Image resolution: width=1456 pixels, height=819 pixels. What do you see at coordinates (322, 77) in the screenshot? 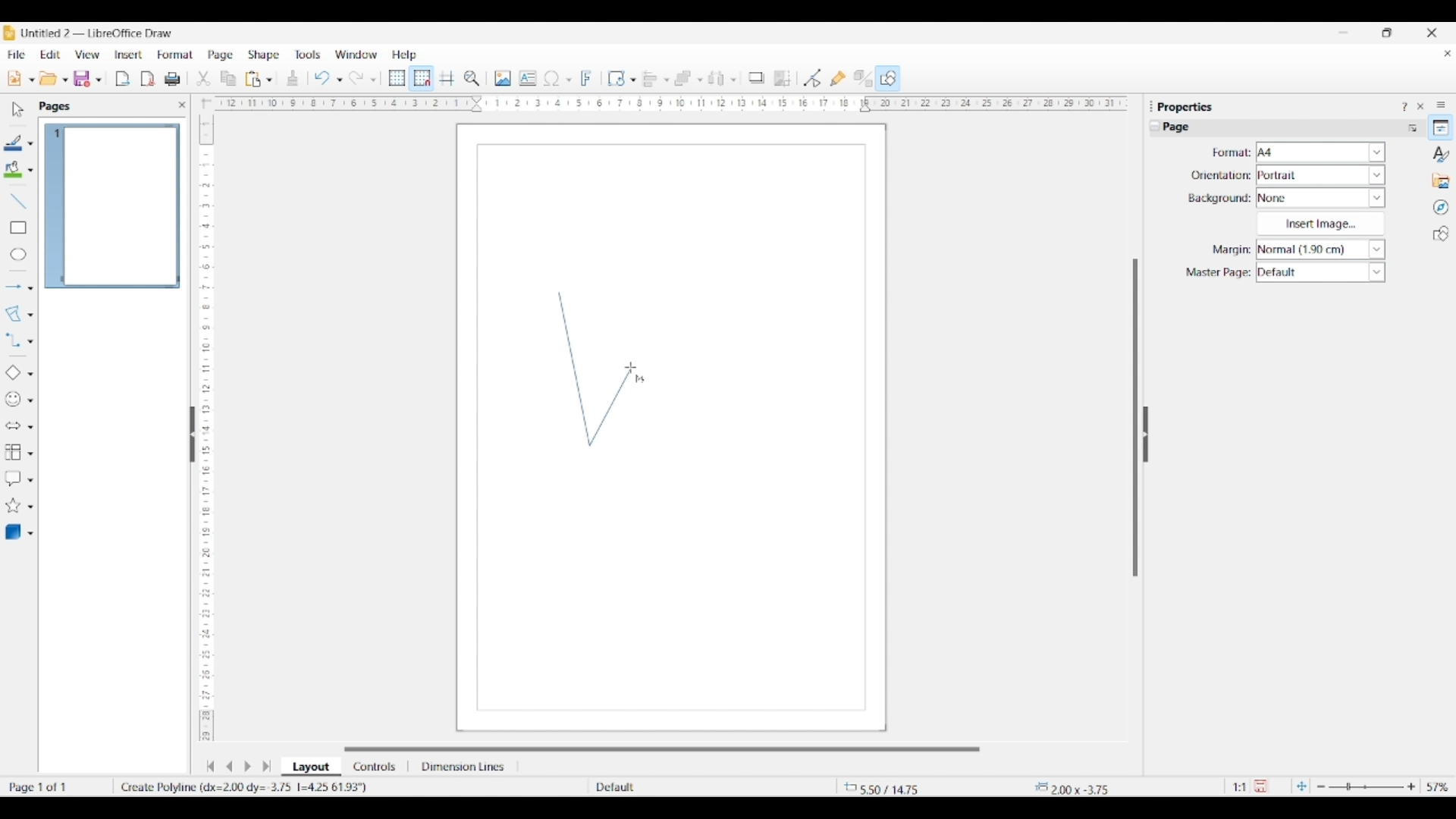
I see `Undo last action done` at bounding box center [322, 77].